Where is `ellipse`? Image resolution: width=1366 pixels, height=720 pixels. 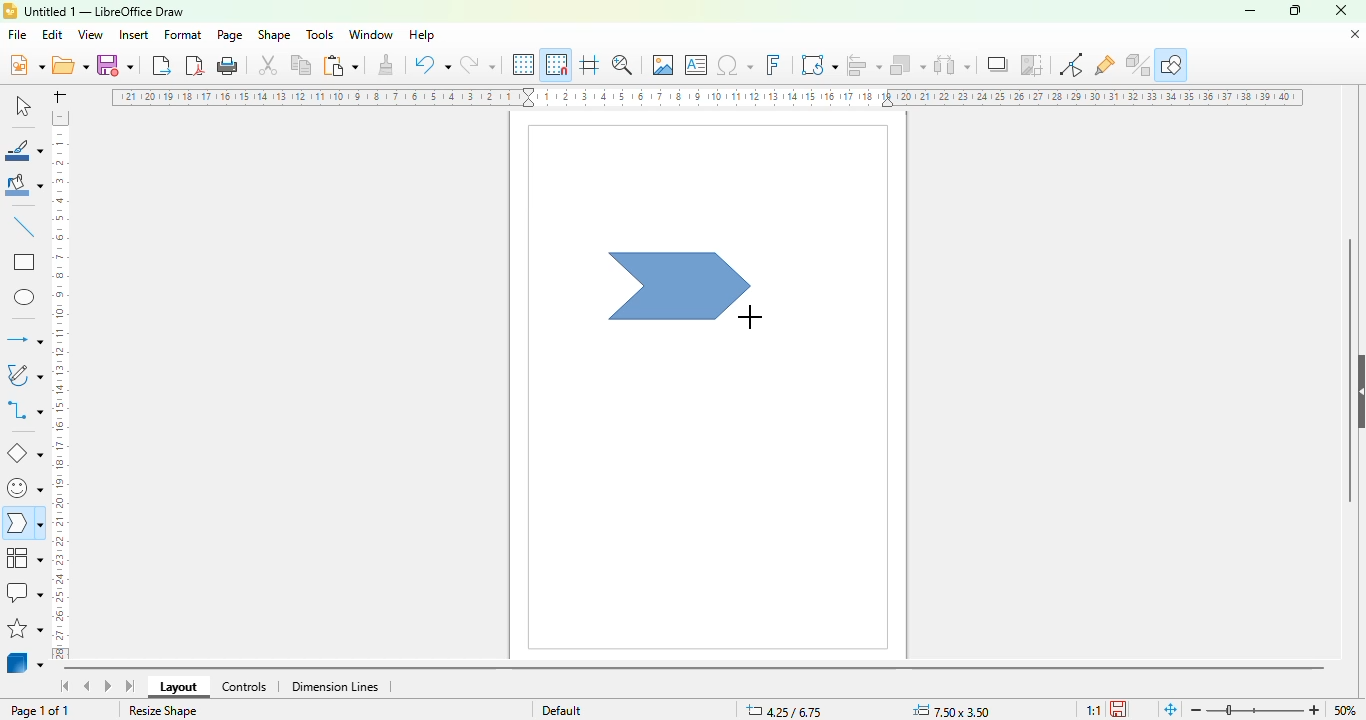 ellipse is located at coordinates (26, 298).